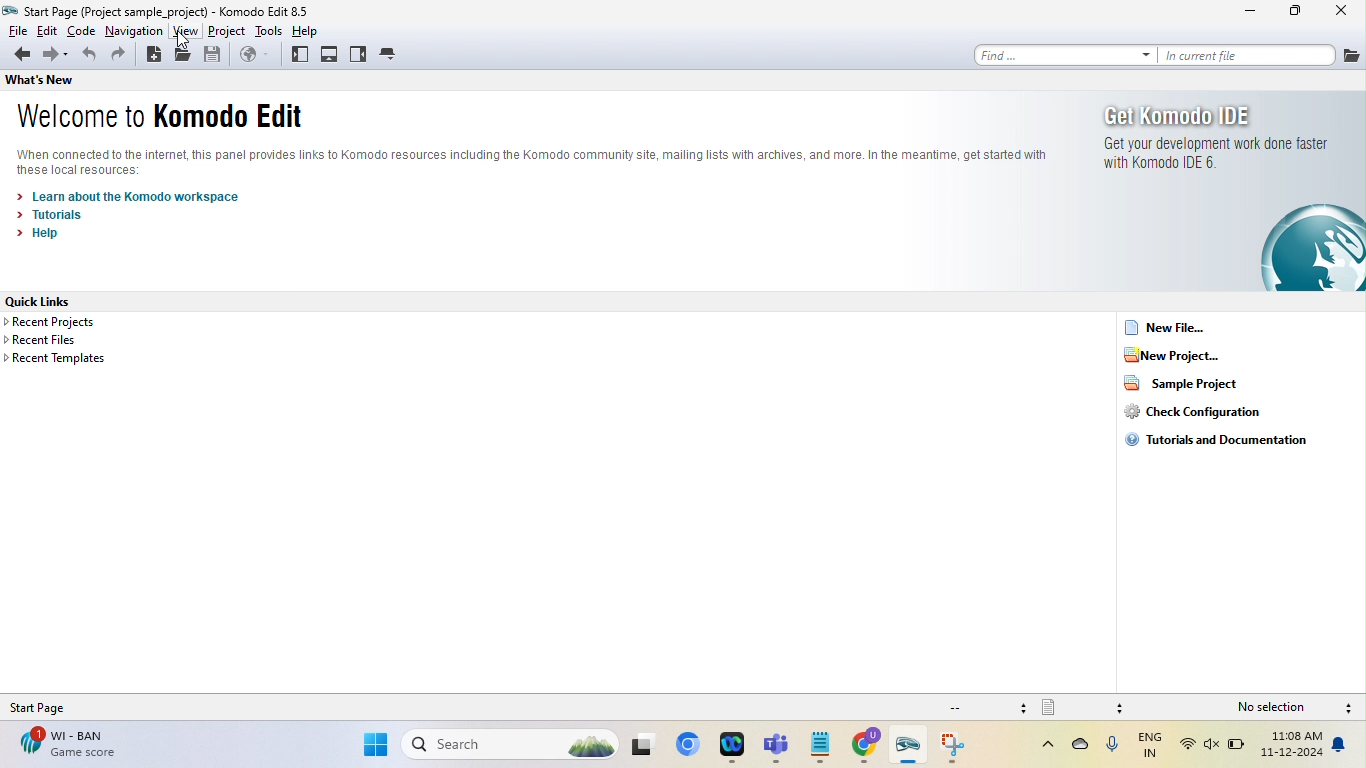 This screenshot has width=1366, height=768. What do you see at coordinates (647, 745) in the screenshot?
I see `apps on taskbar` at bounding box center [647, 745].